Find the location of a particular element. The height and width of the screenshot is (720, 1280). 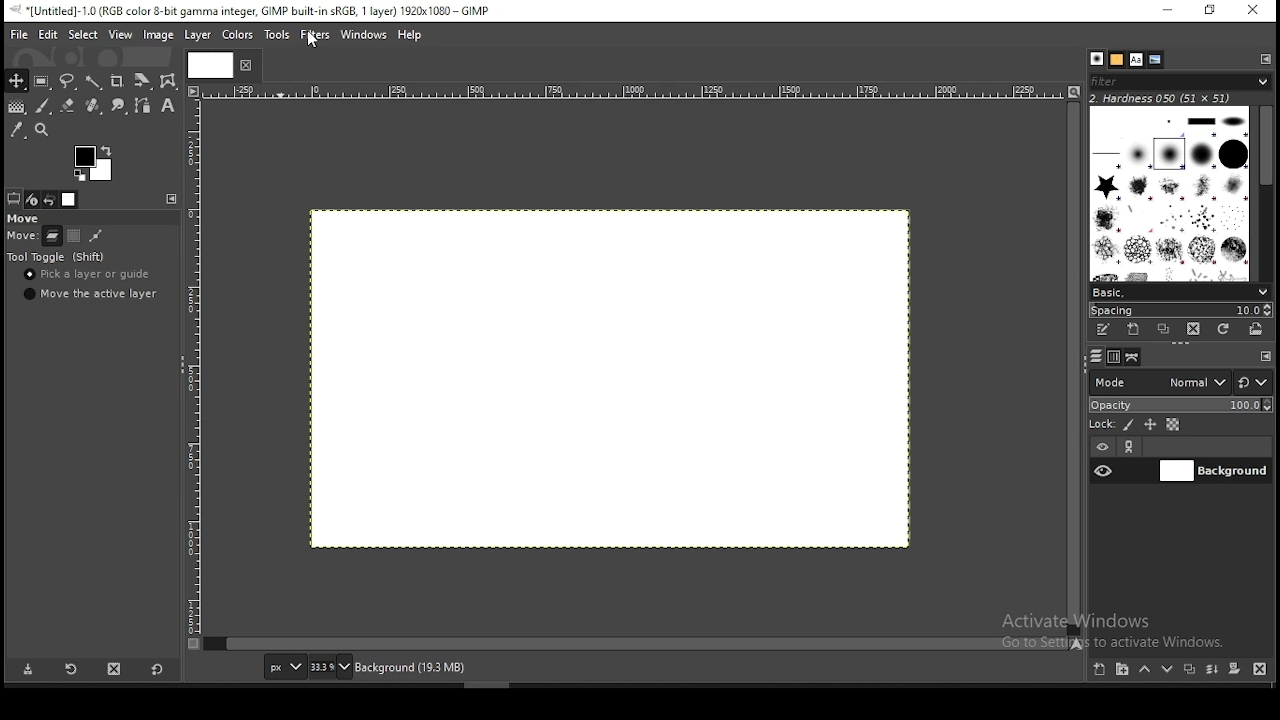

paths is located at coordinates (1136, 358).